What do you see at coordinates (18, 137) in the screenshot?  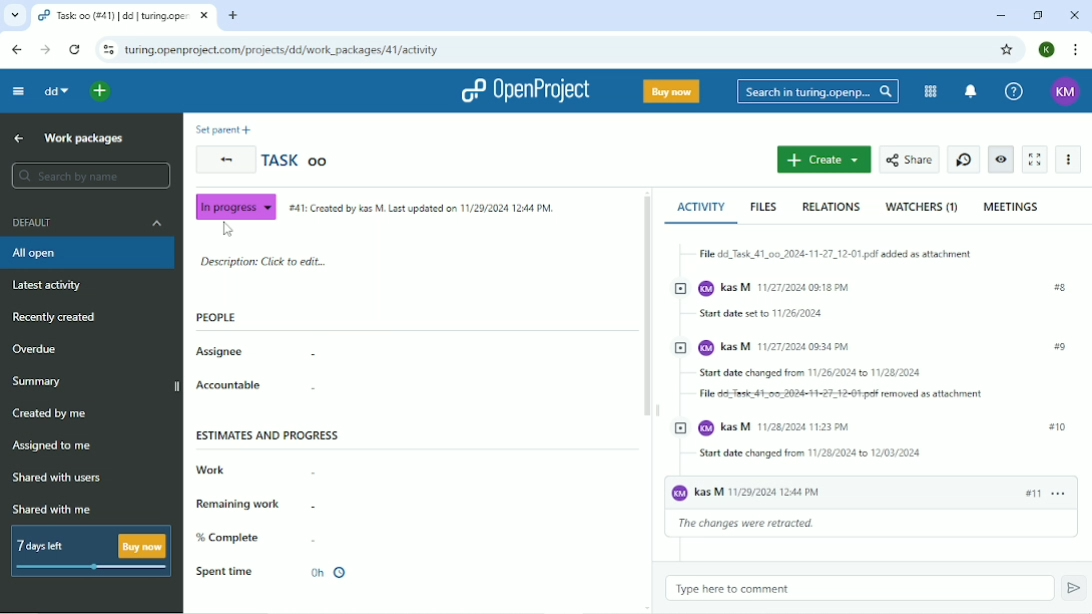 I see `Up` at bounding box center [18, 137].